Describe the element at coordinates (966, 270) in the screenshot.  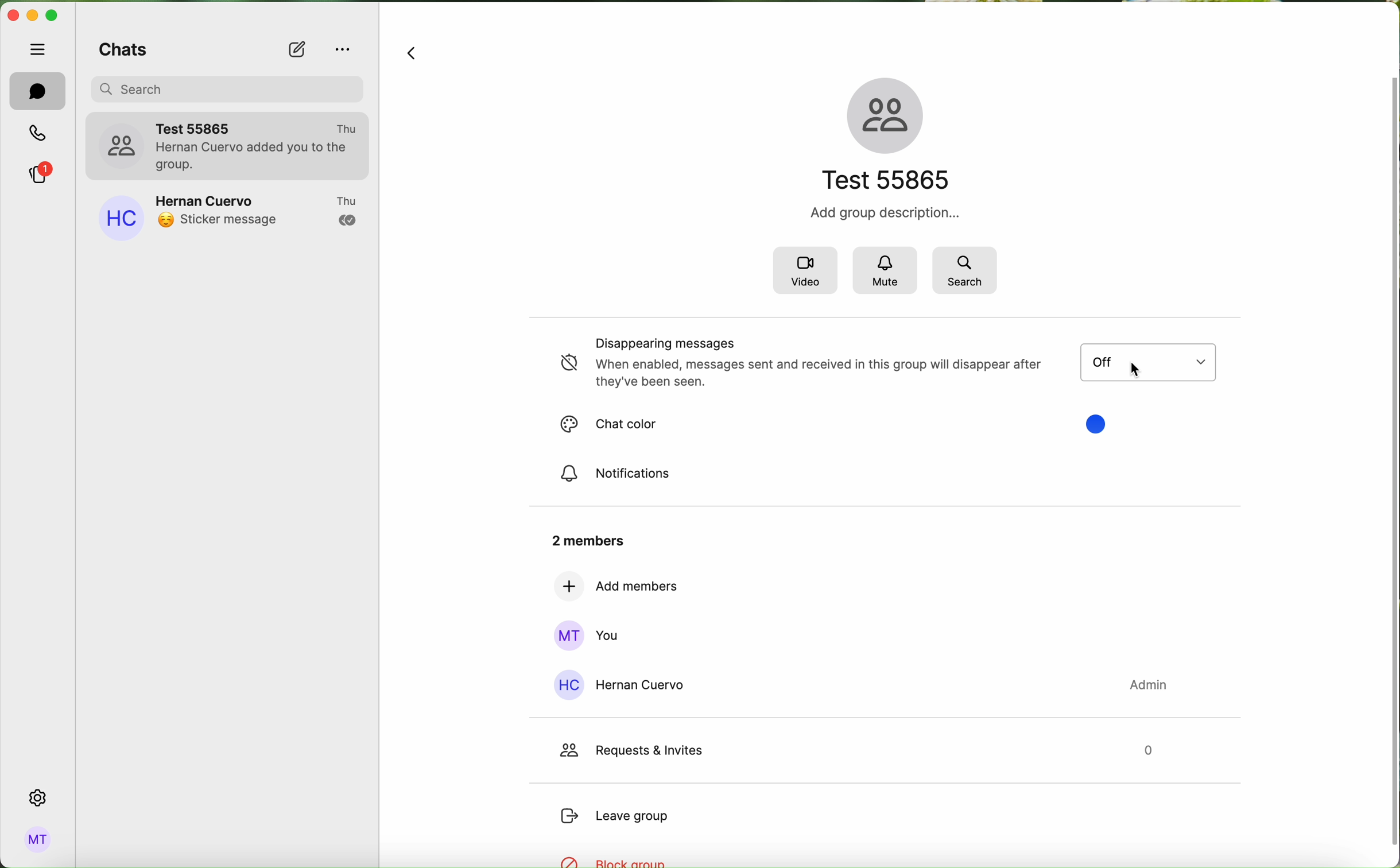
I see `search` at that location.